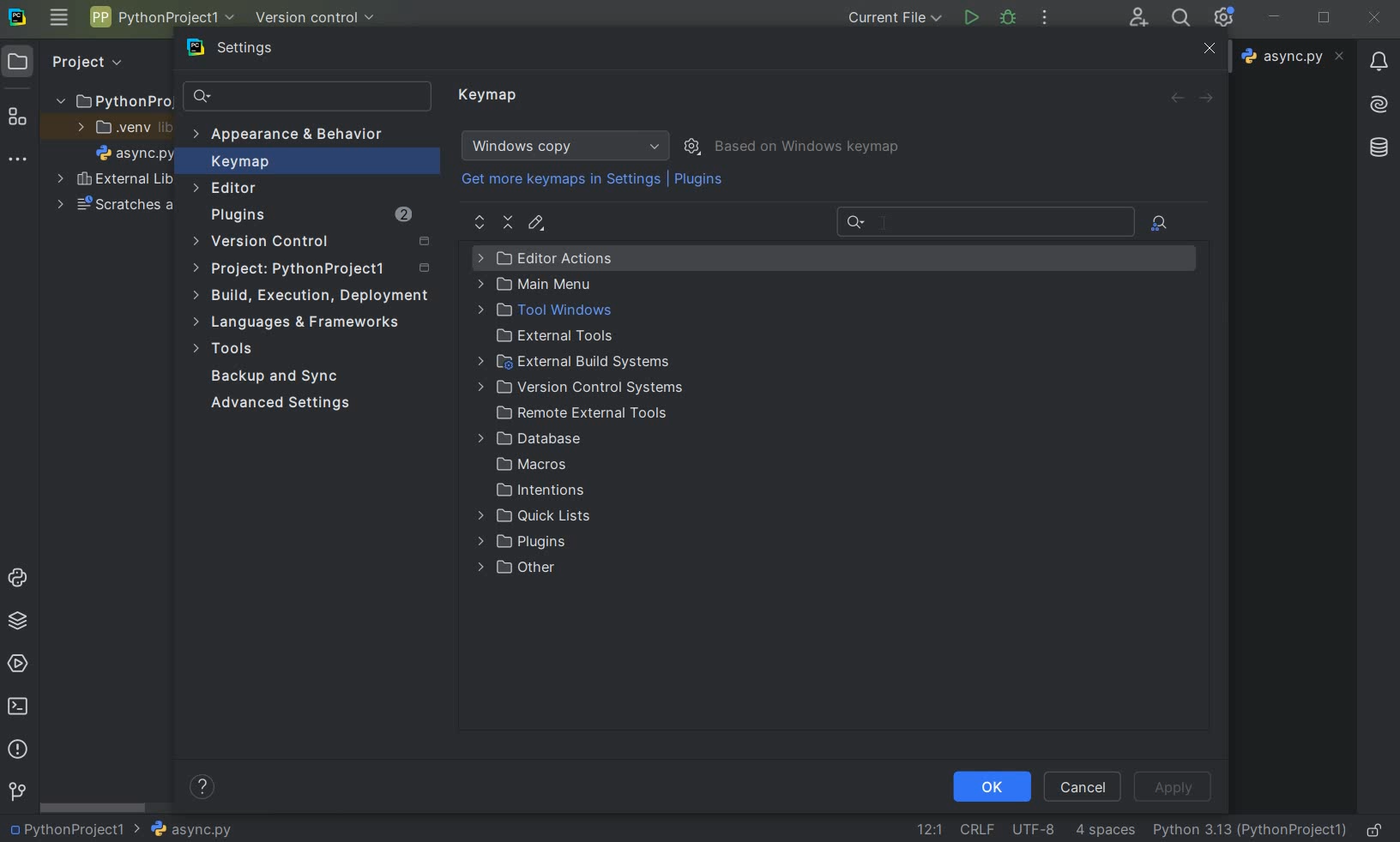  I want to click on tool windows, so click(542, 310).